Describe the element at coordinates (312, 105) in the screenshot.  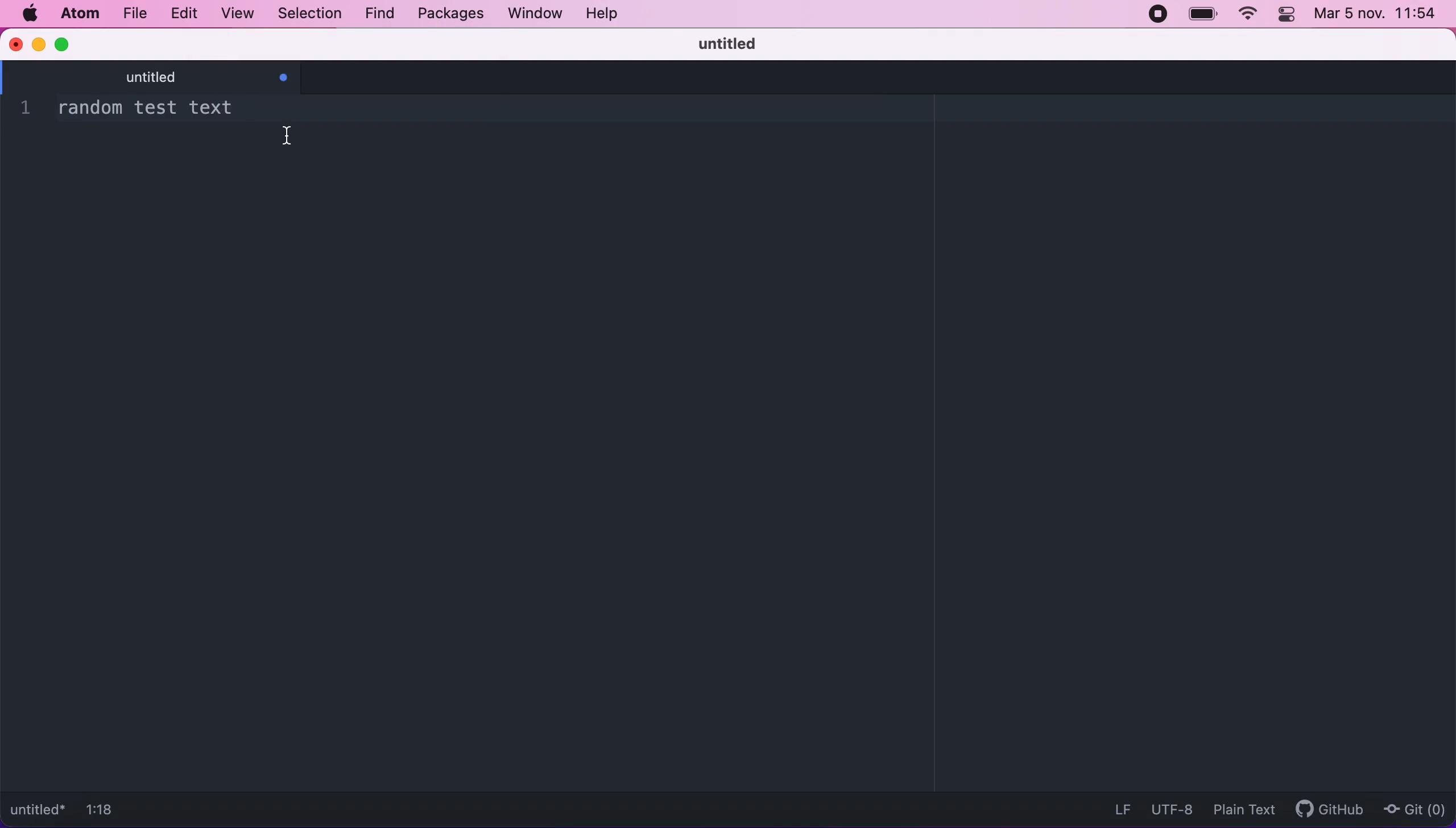
I see `increased font text` at that location.